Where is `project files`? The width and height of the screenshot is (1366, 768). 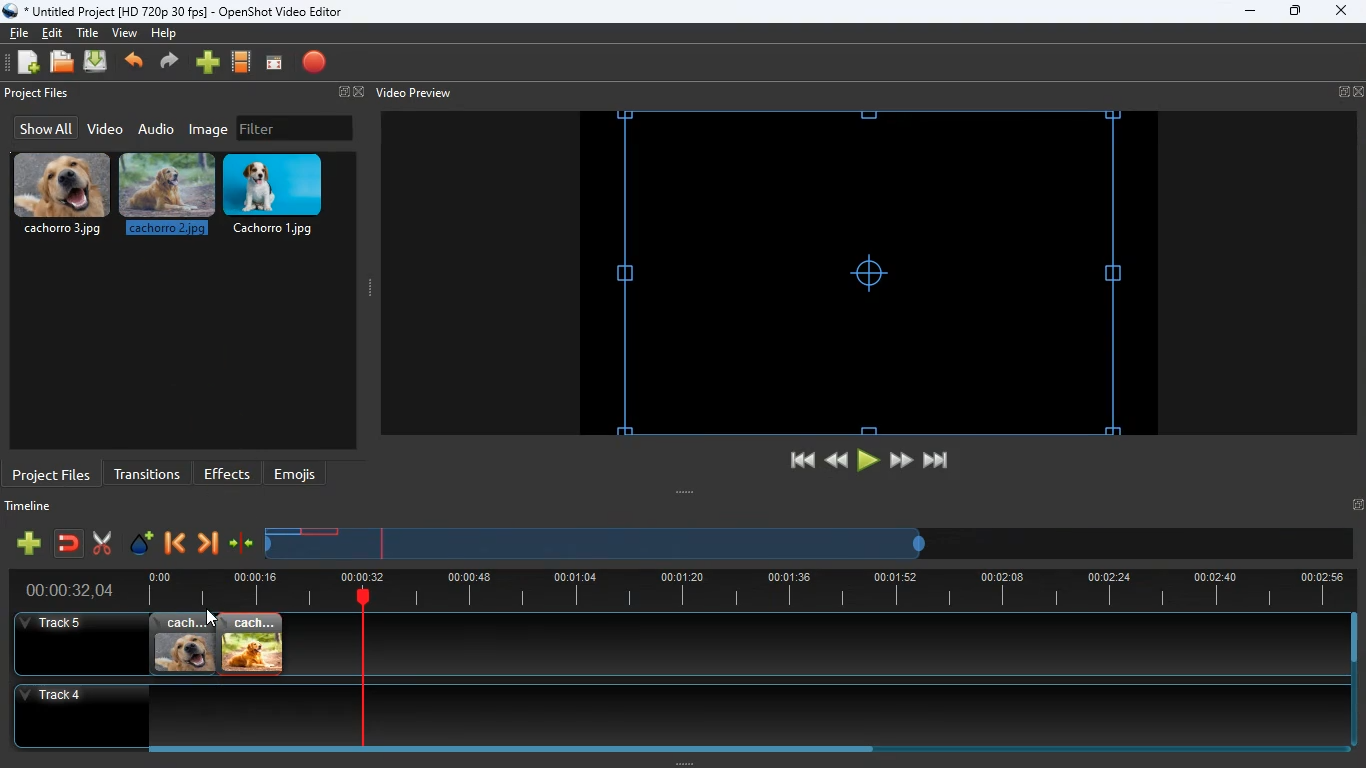
project files is located at coordinates (39, 94).